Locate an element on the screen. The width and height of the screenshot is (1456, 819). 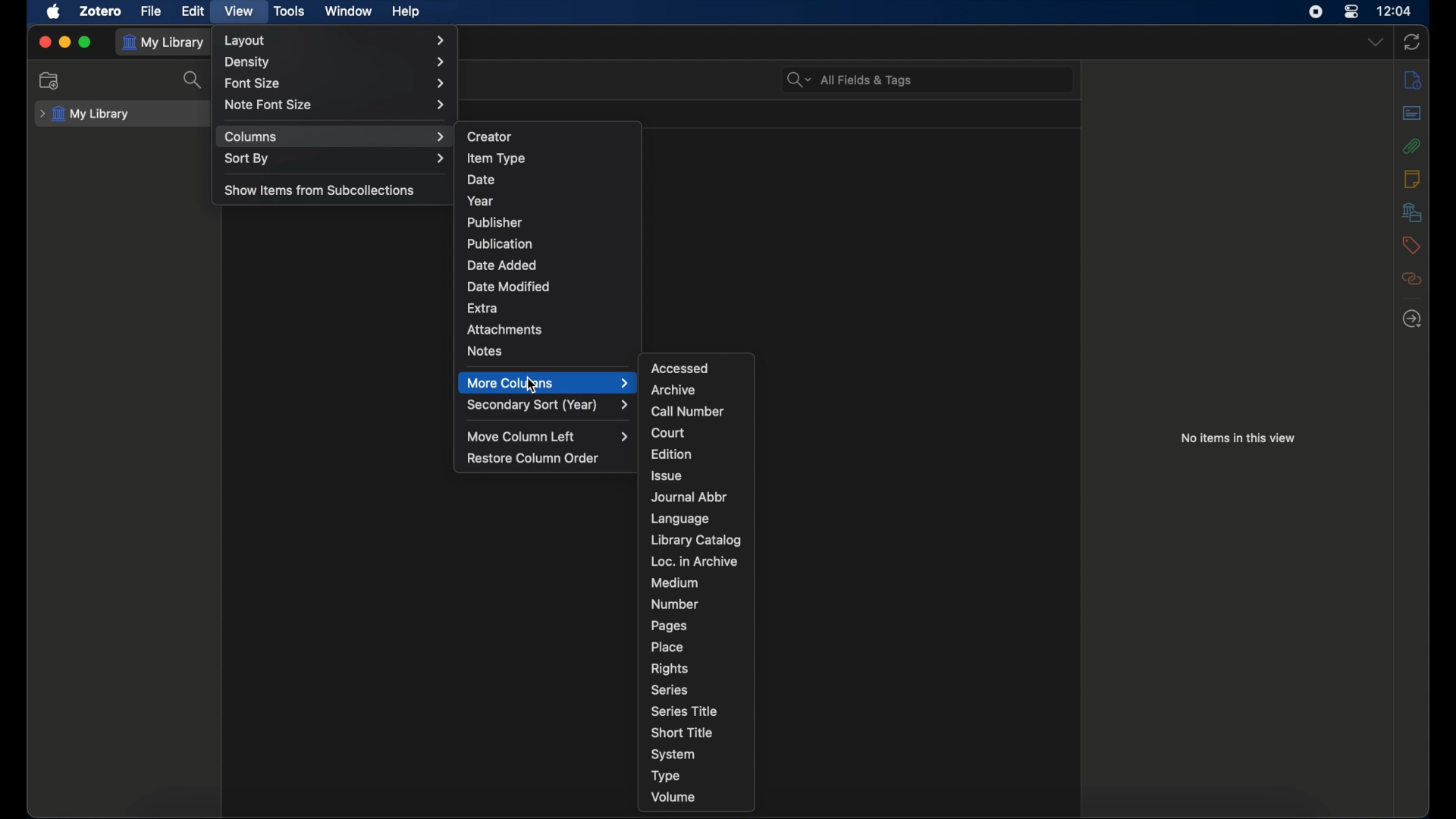
maximize is located at coordinates (86, 42).